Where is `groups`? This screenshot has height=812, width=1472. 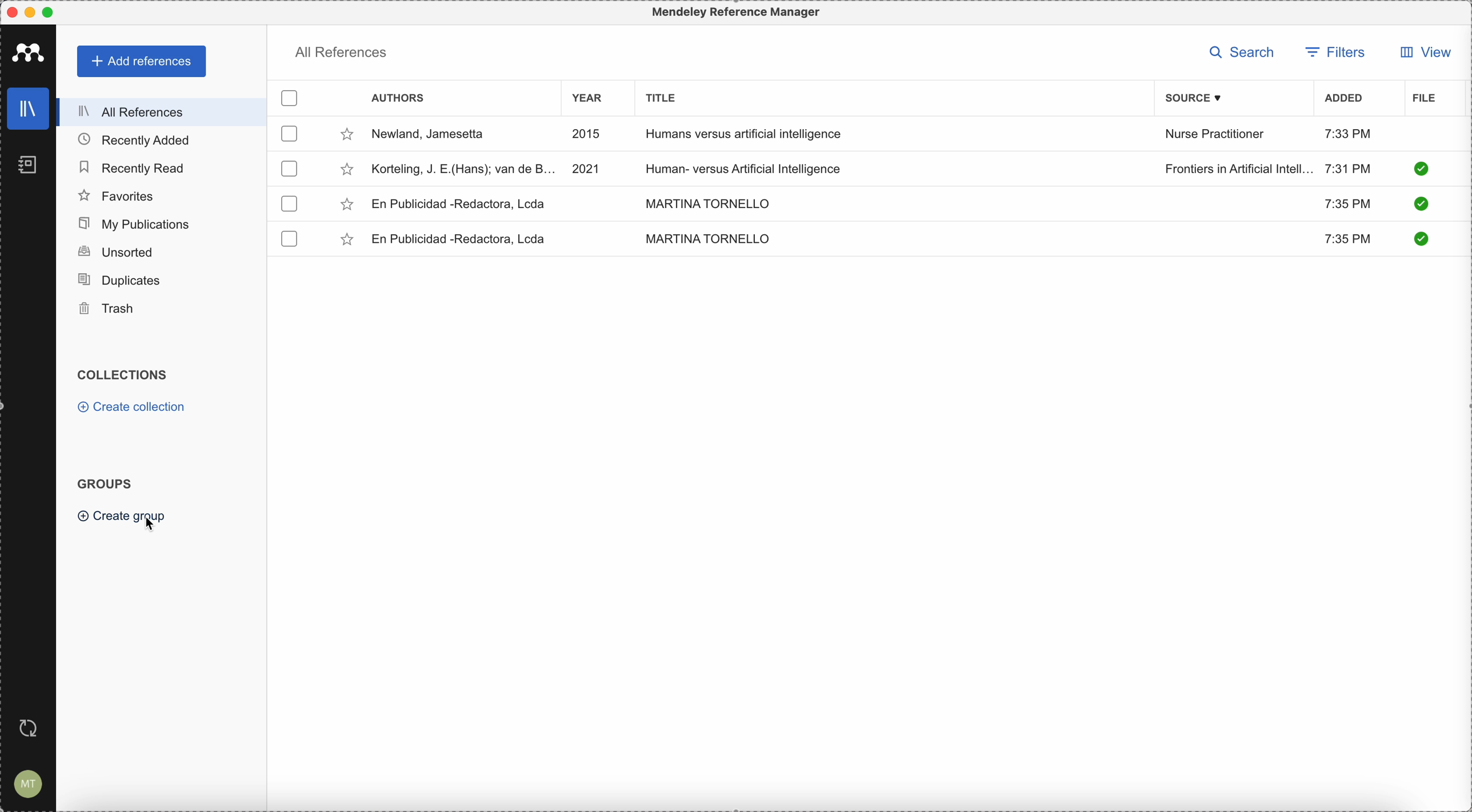 groups is located at coordinates (104, 482).